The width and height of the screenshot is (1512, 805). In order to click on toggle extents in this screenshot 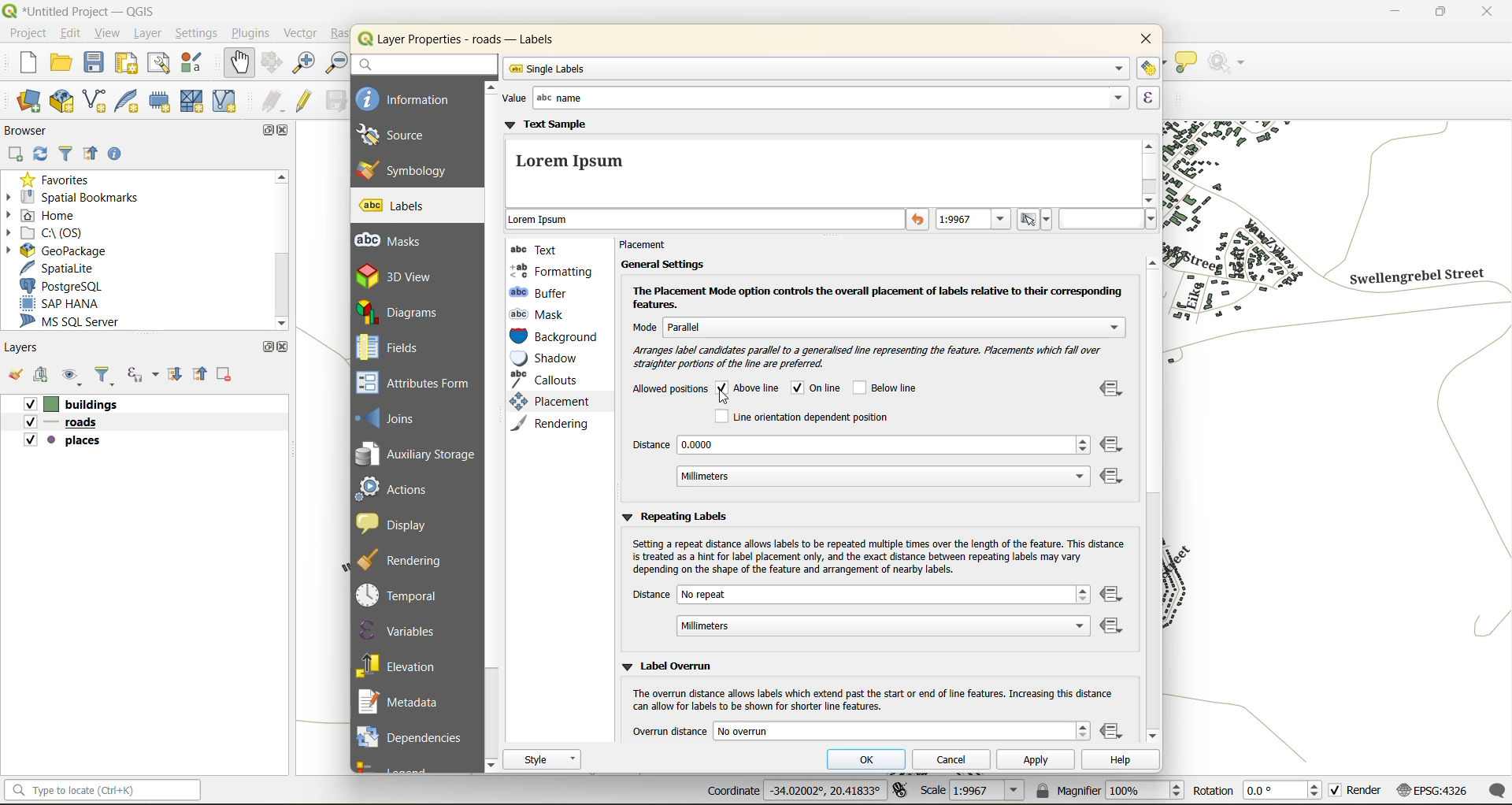, I will do `click(900, 788)`.